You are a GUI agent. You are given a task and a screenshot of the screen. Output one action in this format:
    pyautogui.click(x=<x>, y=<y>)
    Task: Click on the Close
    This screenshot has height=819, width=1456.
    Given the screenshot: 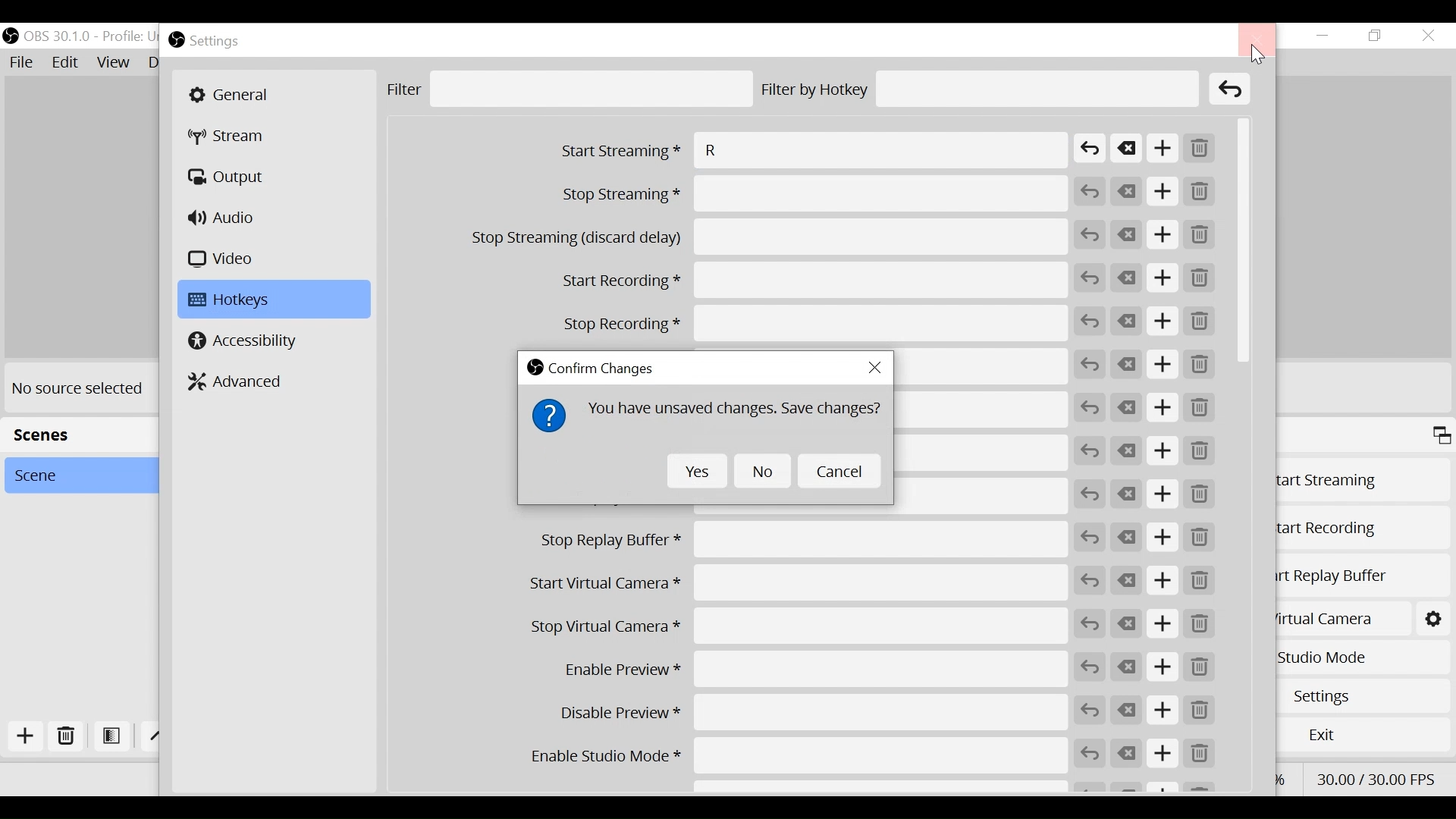 What is the action you would take?
    pyautogui.click(x=1427, y=36)
    